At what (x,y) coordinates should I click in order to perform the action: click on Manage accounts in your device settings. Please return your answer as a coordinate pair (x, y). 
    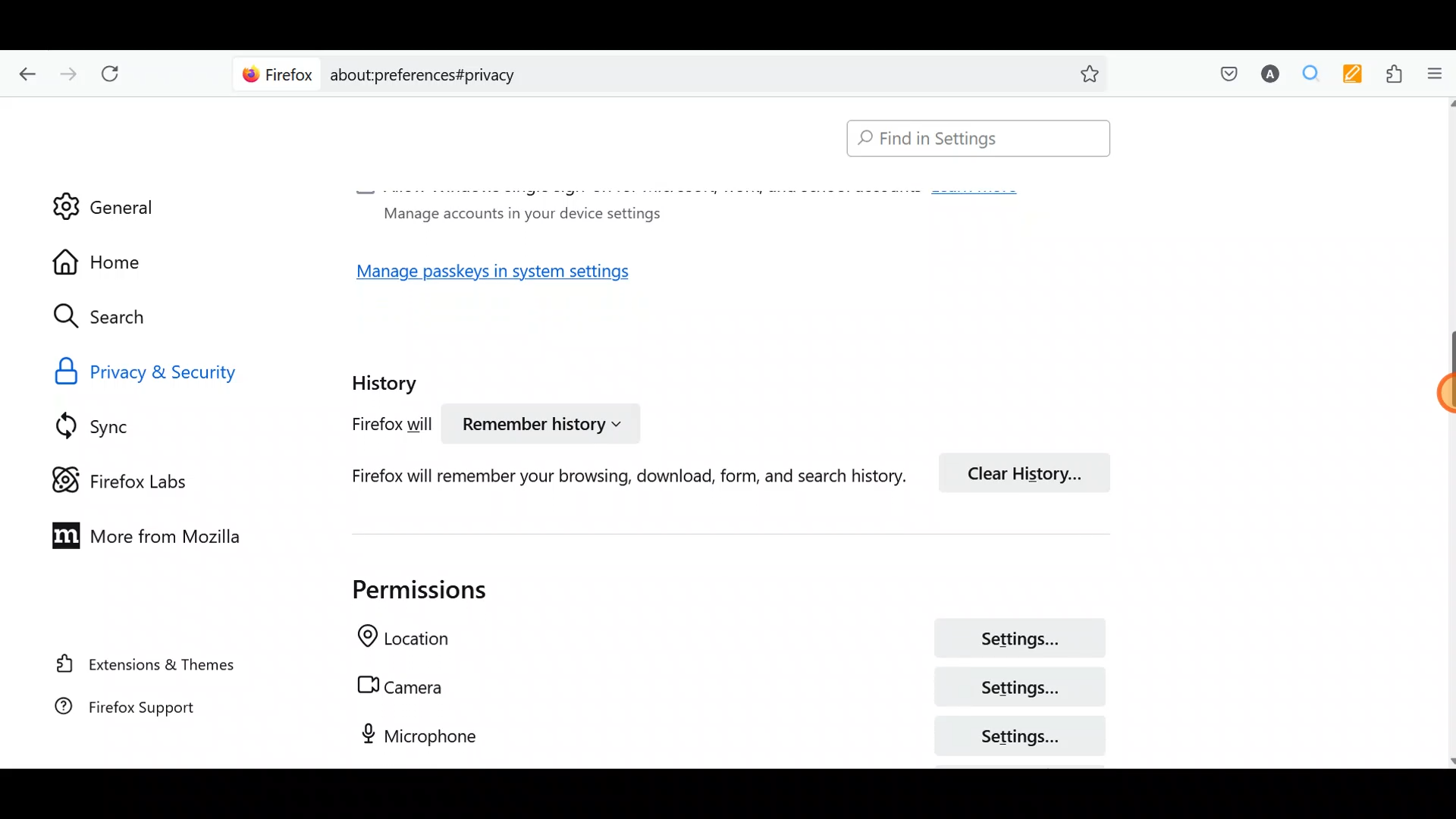
    Looking at the image, I should click on (517, 212).